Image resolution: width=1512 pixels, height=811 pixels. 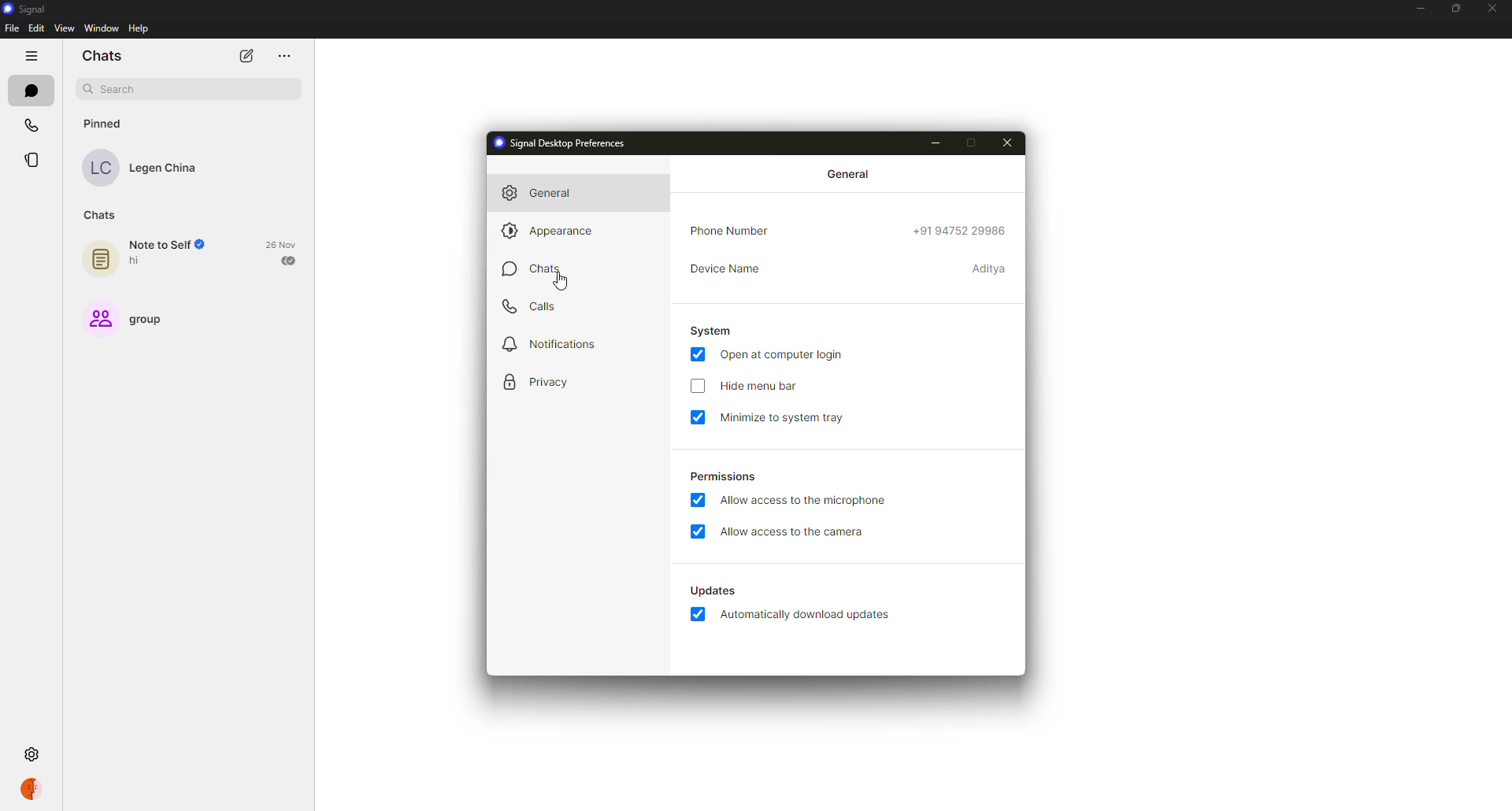 What do you see at coordinates (530, 308) in the screenshot?
I see `calls` at bounding box center [530, 308].